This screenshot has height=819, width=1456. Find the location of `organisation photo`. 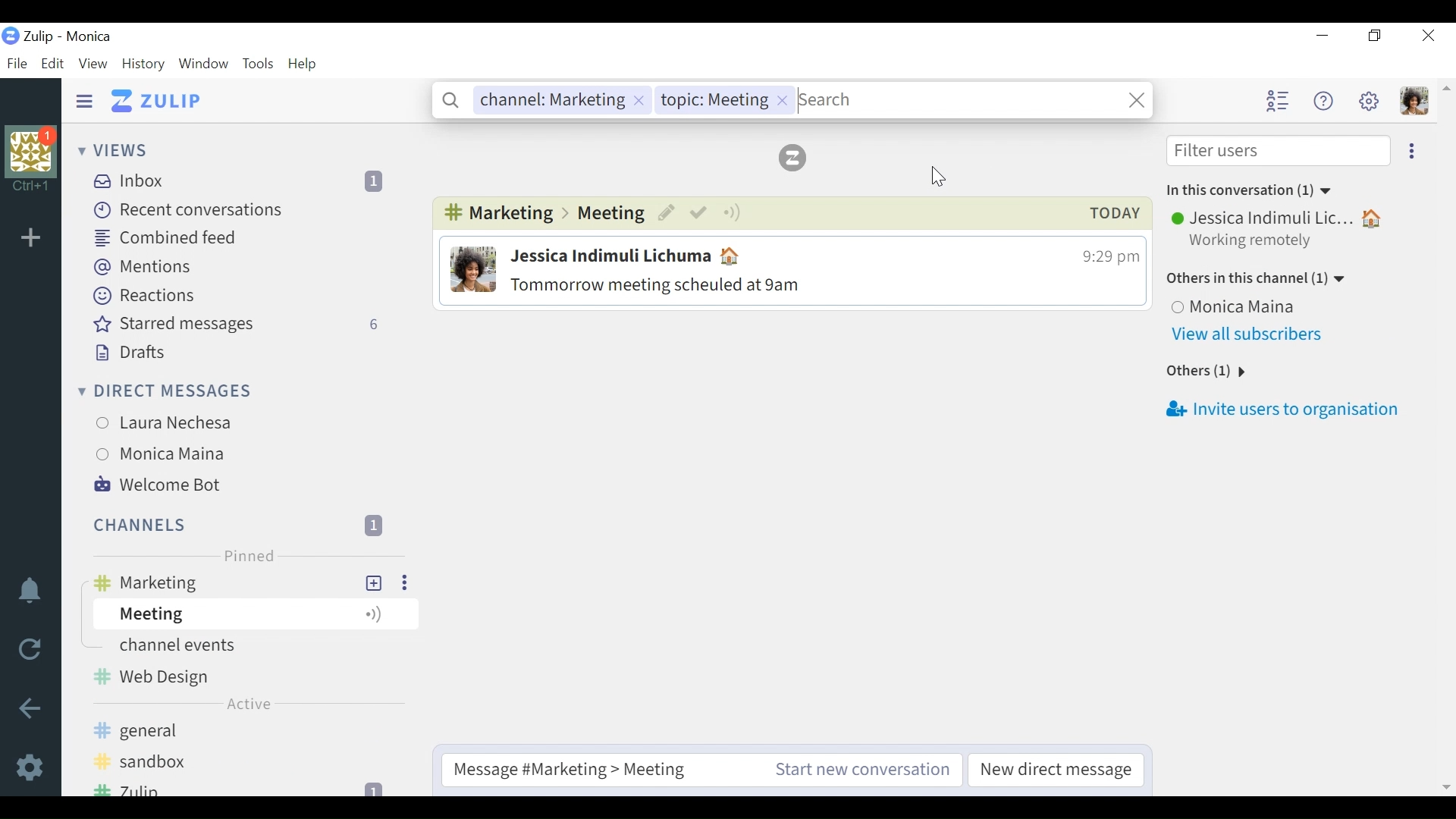

organisation photo is located at coordinates (31, 149).